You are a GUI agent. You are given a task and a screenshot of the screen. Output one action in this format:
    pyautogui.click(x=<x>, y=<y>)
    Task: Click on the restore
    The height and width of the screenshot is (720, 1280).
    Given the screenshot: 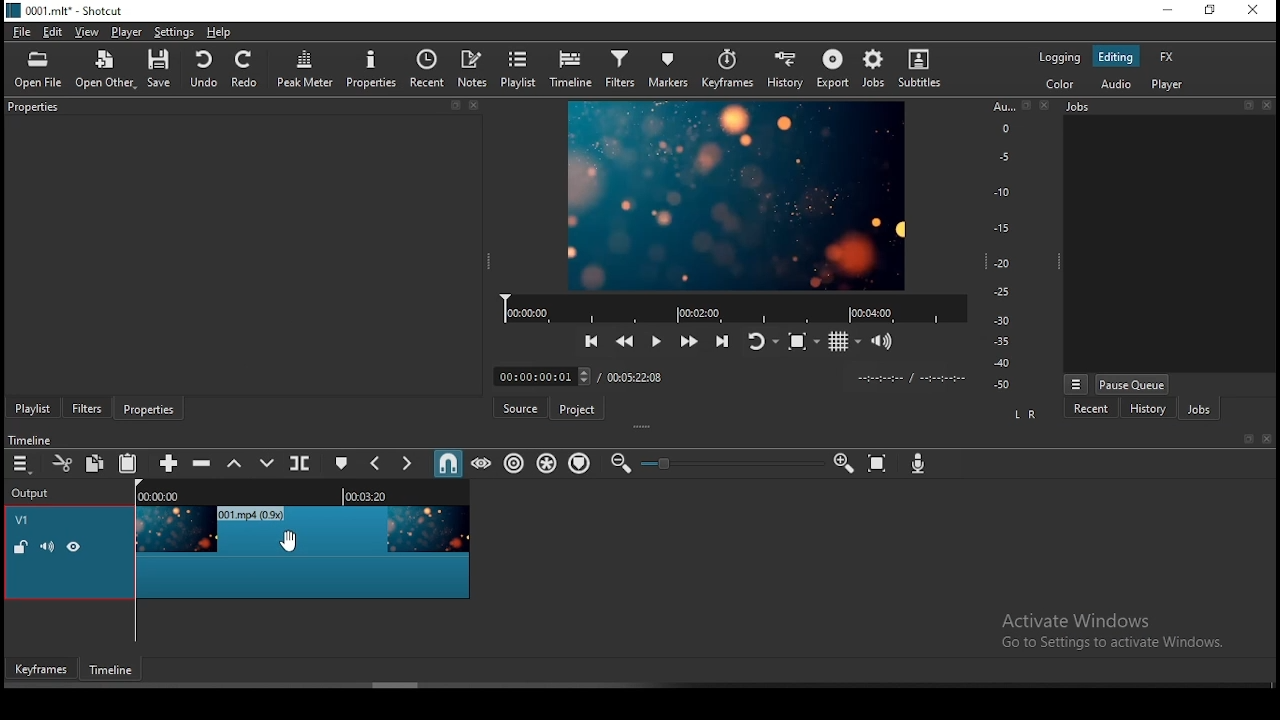 What is the action you would take?
    pyautogui.click(x=1213, y=10)
    